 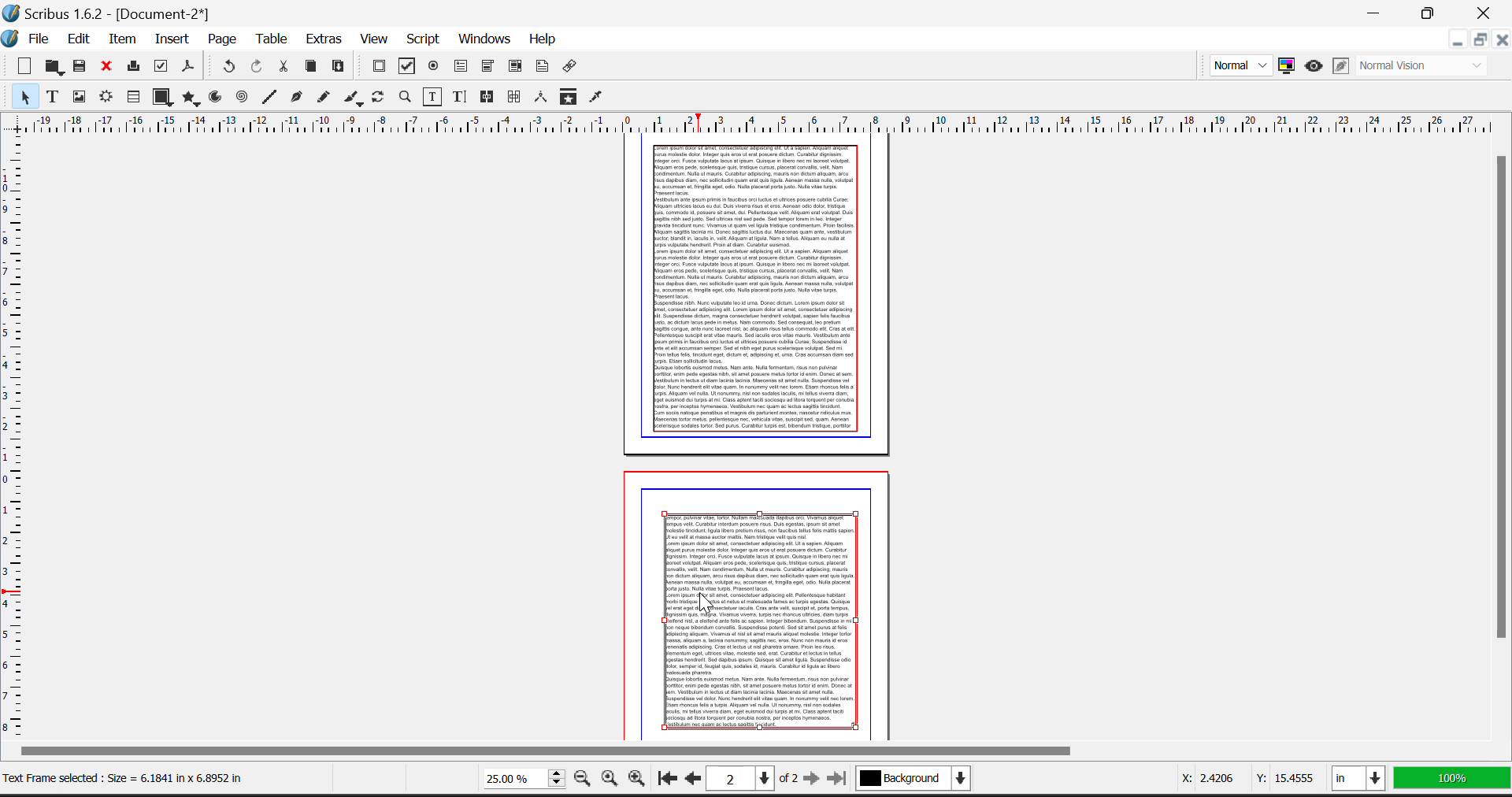 What do you see at coordinates (516, 67) in the screenshot?
I see `PDF List Box` at bounding box center [516, 67].